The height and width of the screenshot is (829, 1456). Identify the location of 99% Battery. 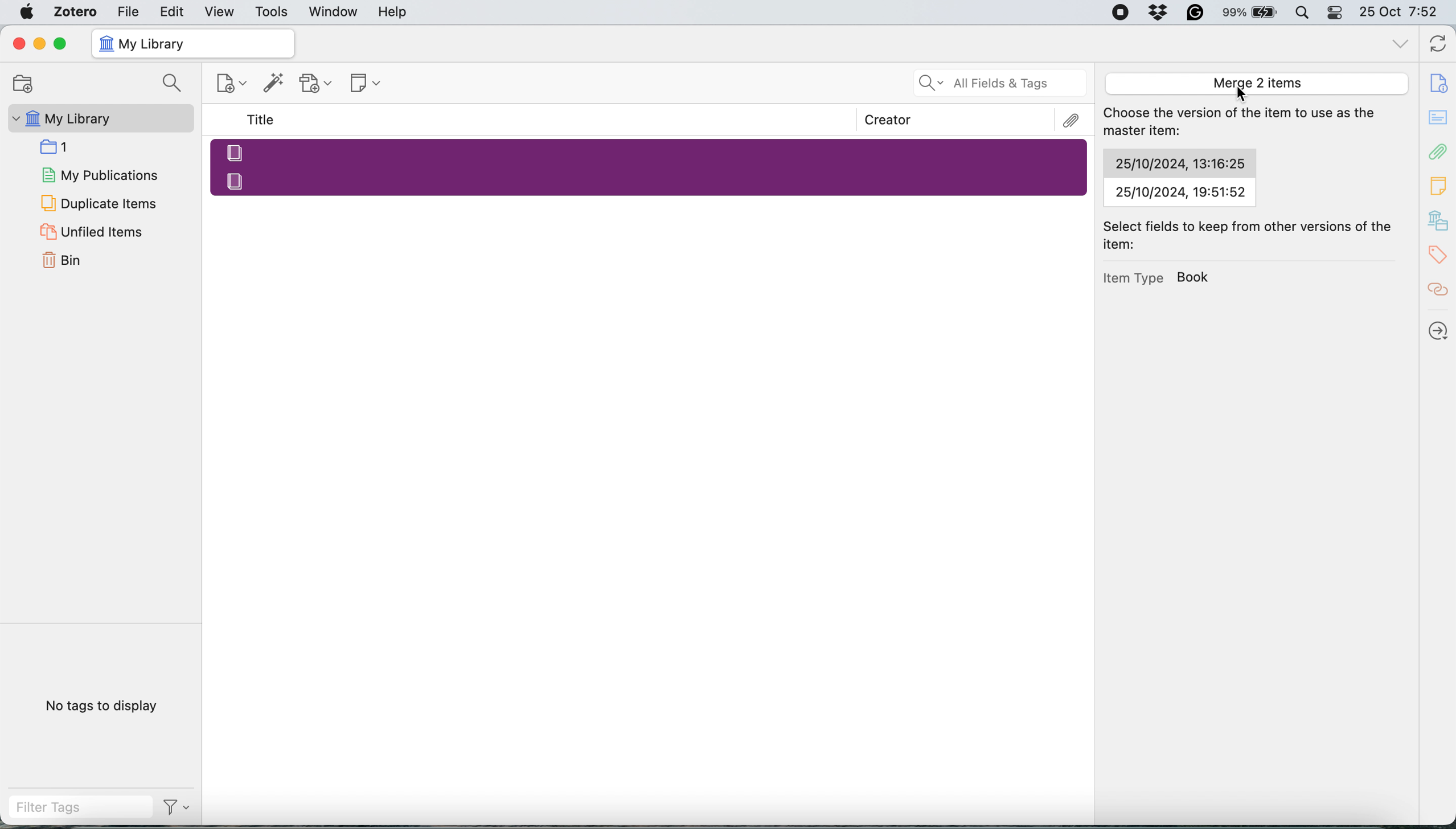
(1250, 13).